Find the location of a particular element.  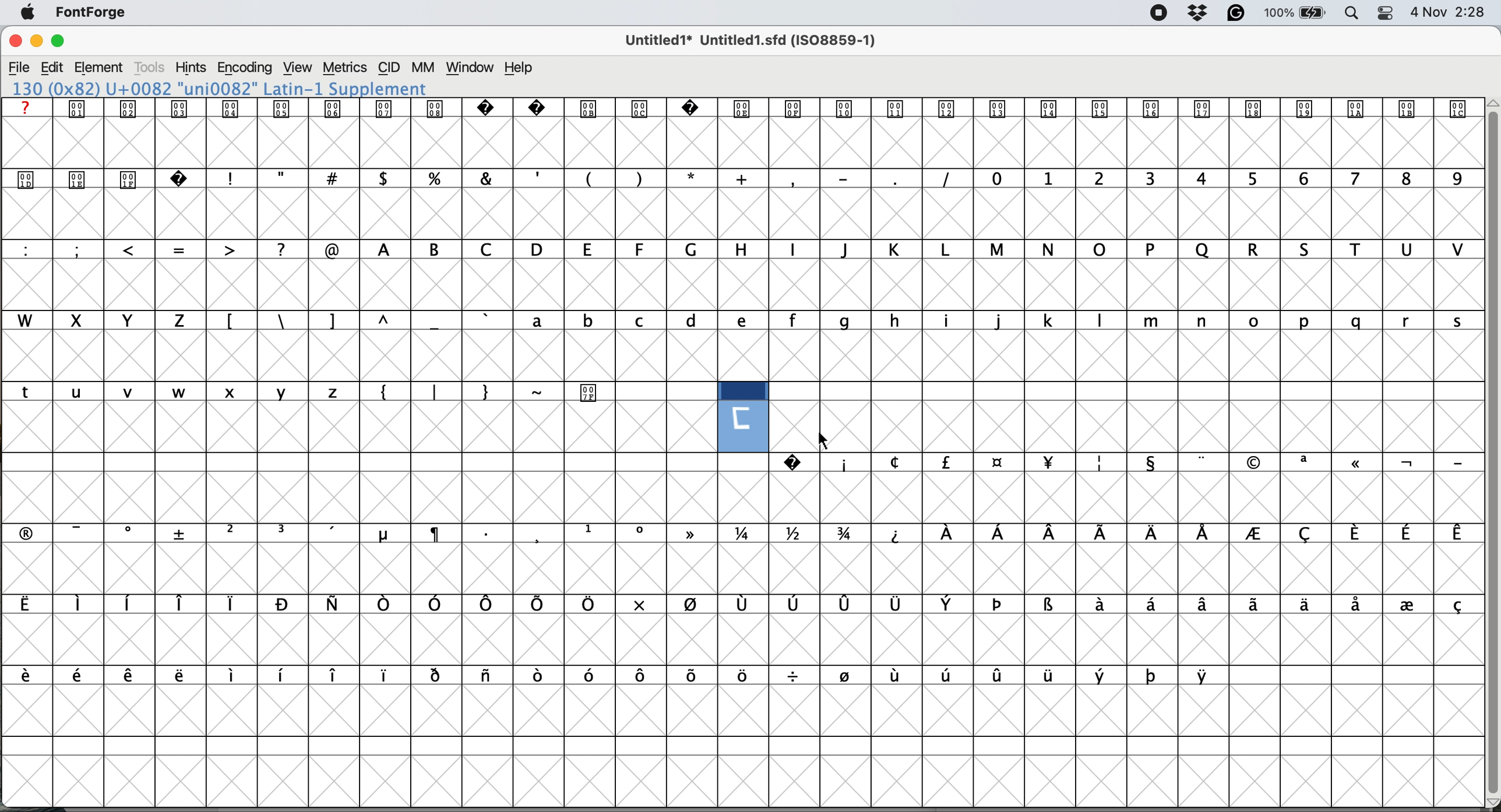

maximise is located at coordinates (59, 41).